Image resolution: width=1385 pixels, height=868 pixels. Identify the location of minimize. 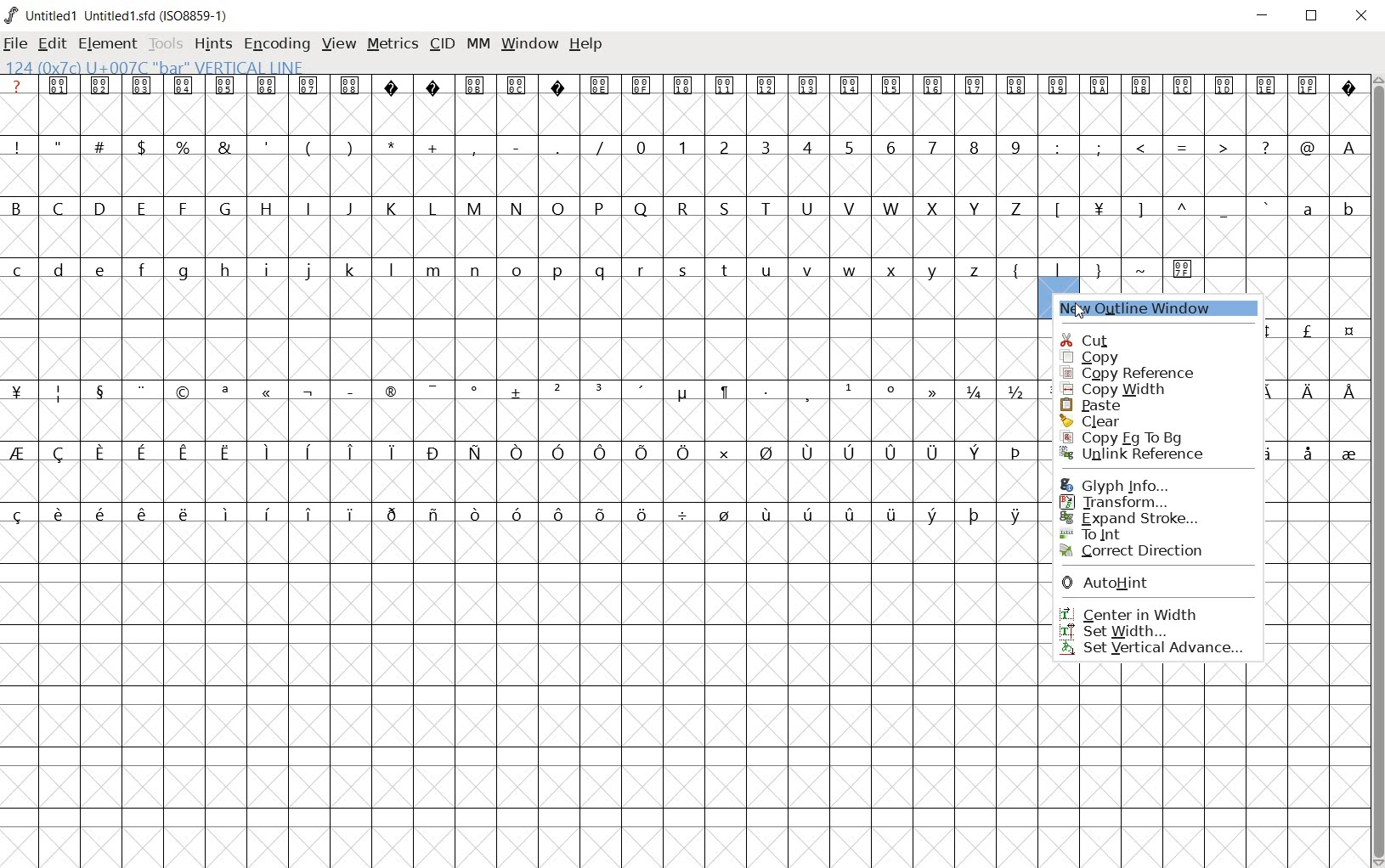
(1263, 16).